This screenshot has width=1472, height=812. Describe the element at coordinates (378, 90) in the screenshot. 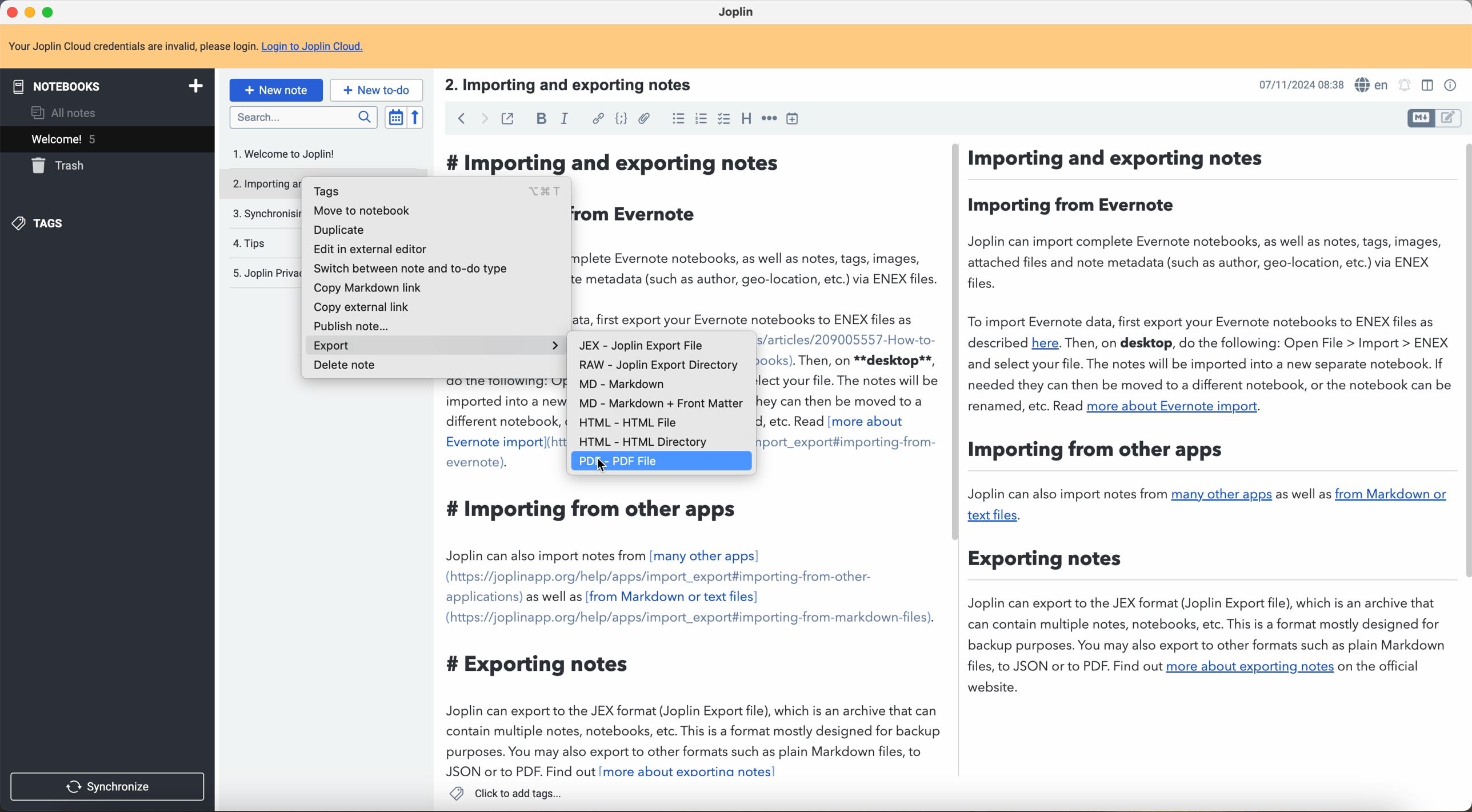

I see `new to-do` at that location.